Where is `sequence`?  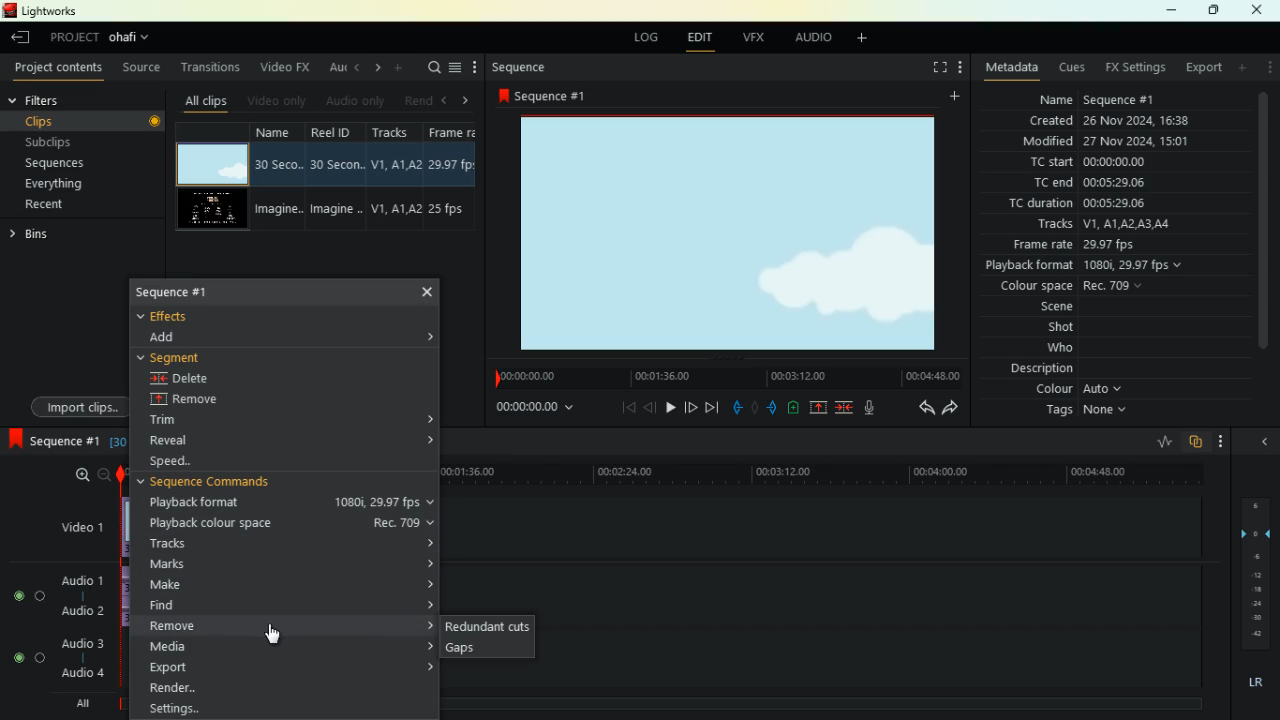 sequence is located at coordinates (519, 69).